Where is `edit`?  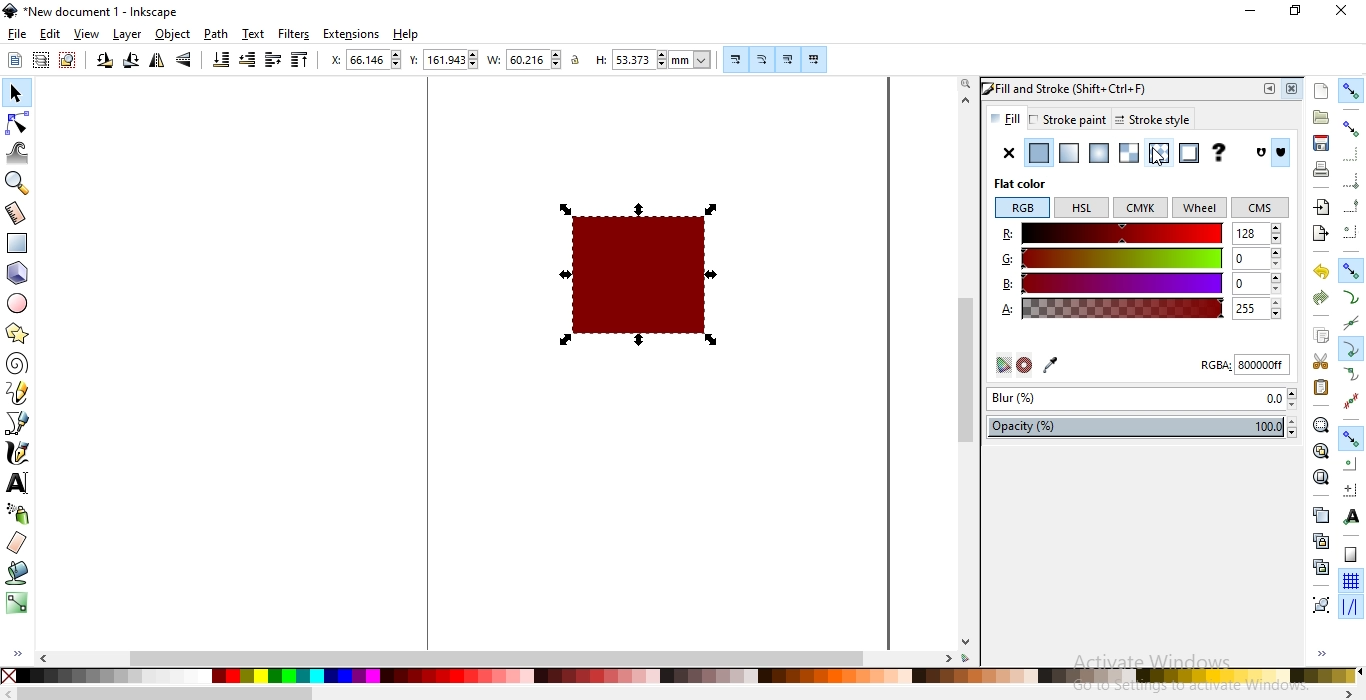
edit is located at coordinates (50, 33).